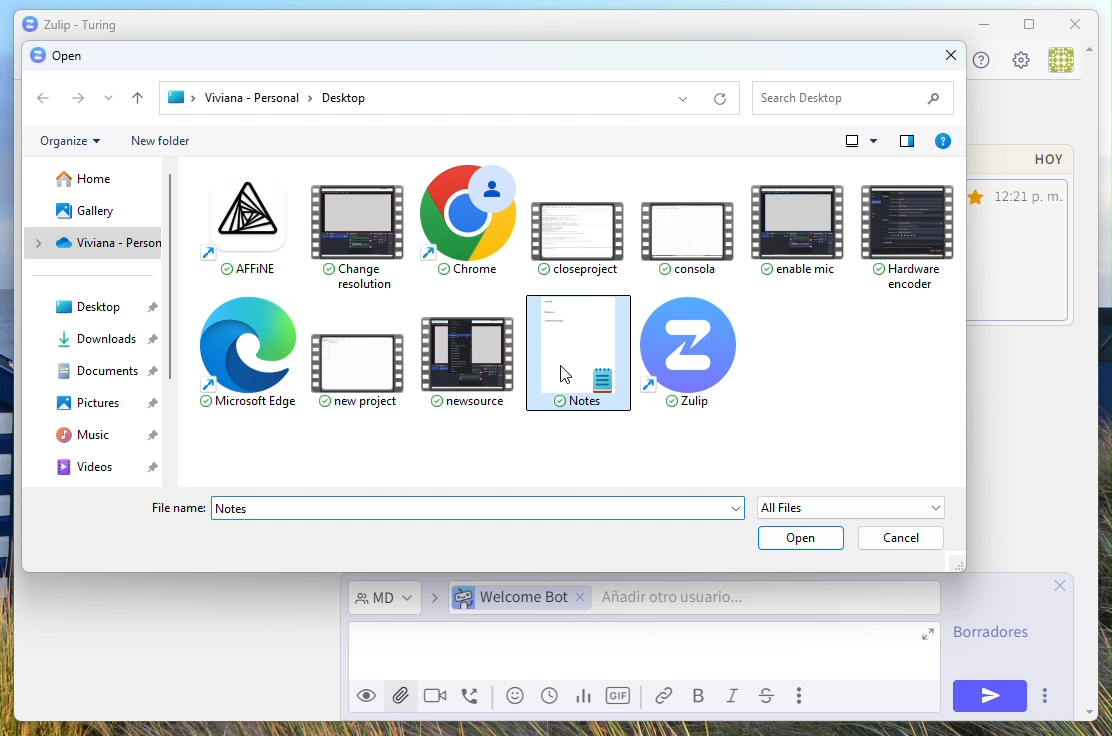 The image size is (1112, 736). What do you see at coordinates (70, 141) in the screenshot?
I see `organize` at bounding box center [70, 141].